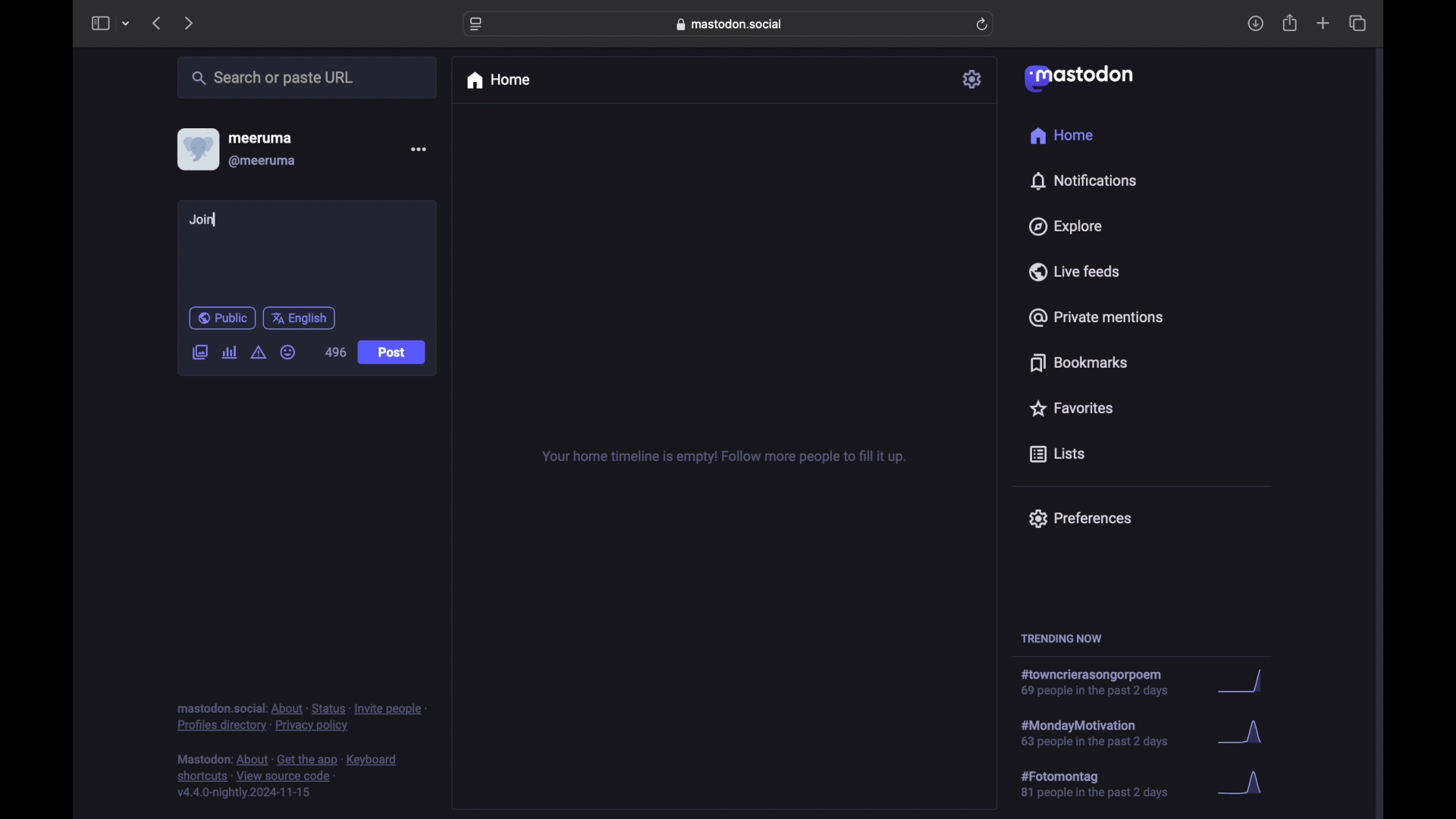  Describe the element at coordinates (1064, 227) in the screenshot. I see `explore` at that location.